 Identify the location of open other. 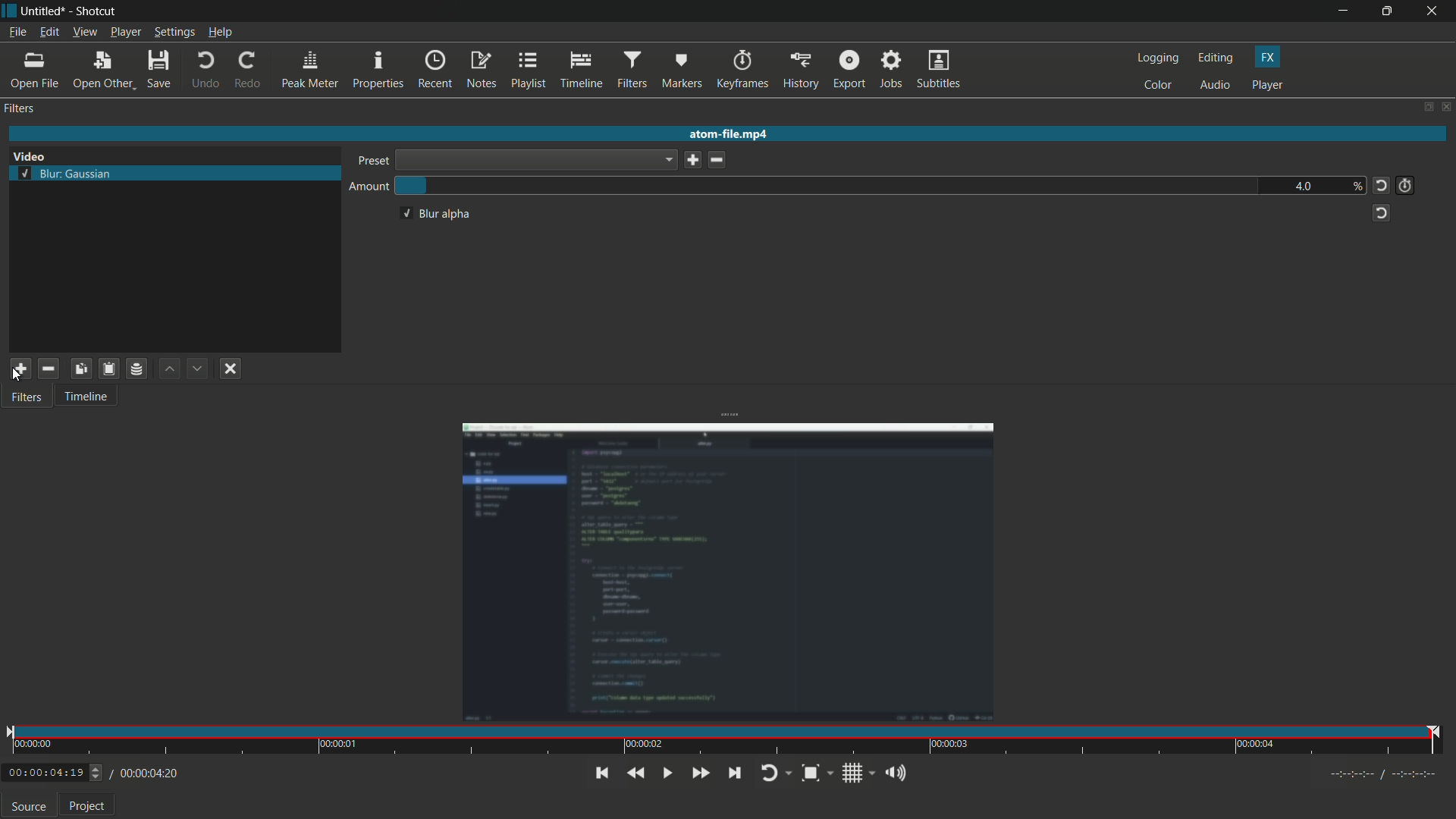
(102, 73).